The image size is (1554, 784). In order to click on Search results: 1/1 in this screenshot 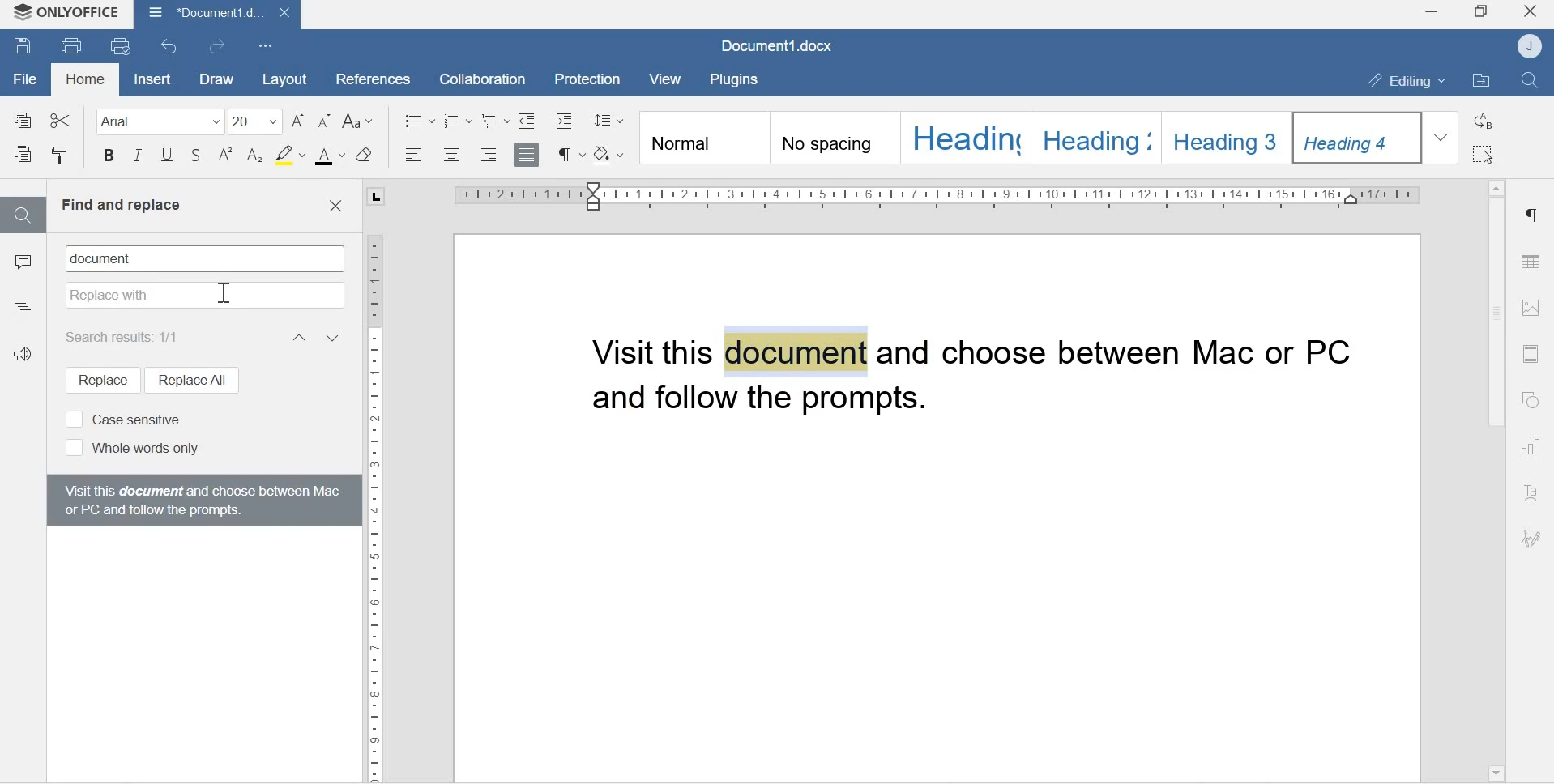, I will do `click(128, 336)`.